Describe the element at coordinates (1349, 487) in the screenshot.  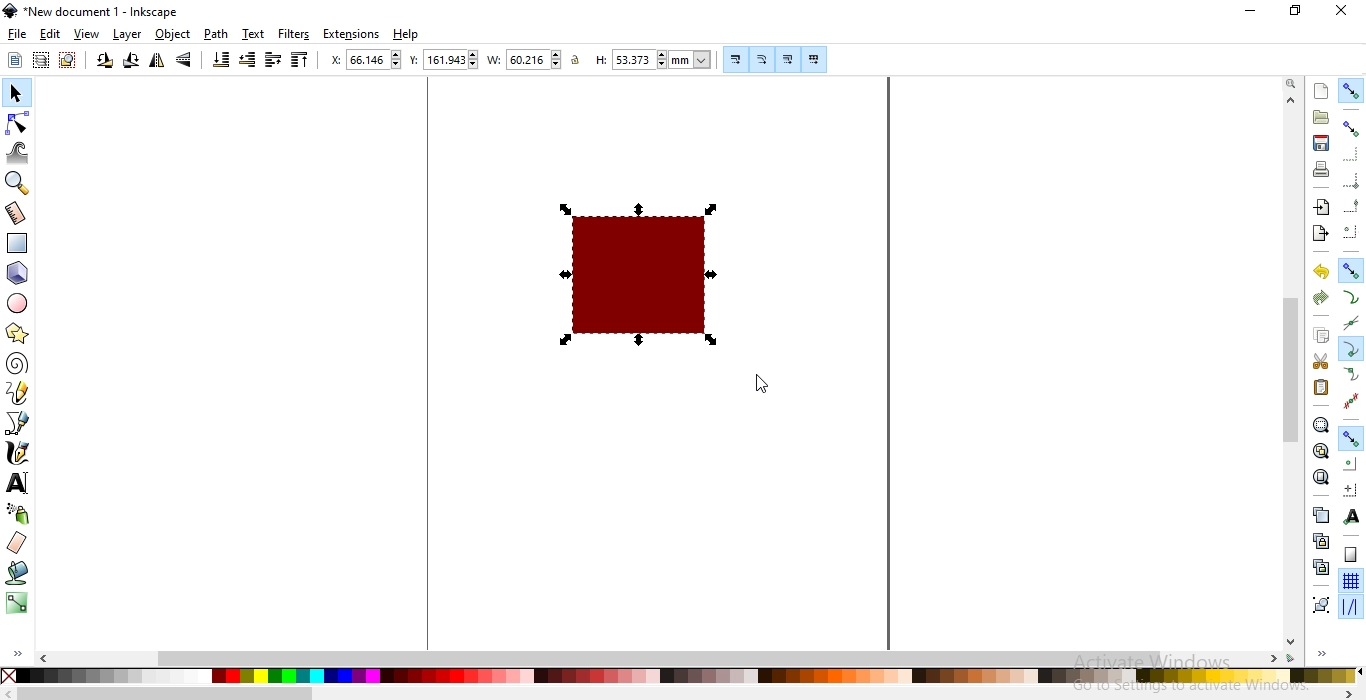
I see `snap an items rotation center` at that location.